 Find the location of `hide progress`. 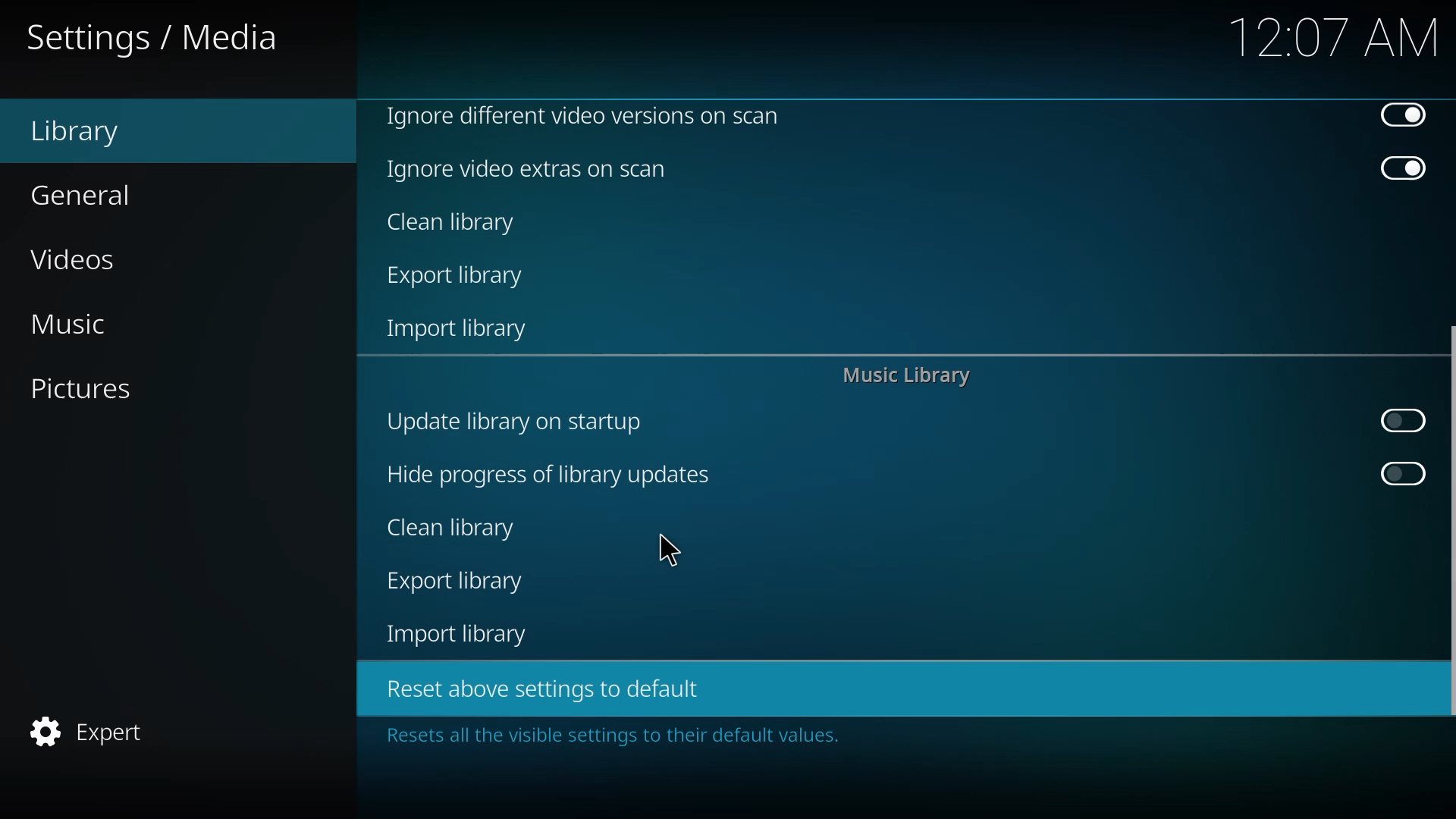

hide progress is located at coordinates (547, 475).